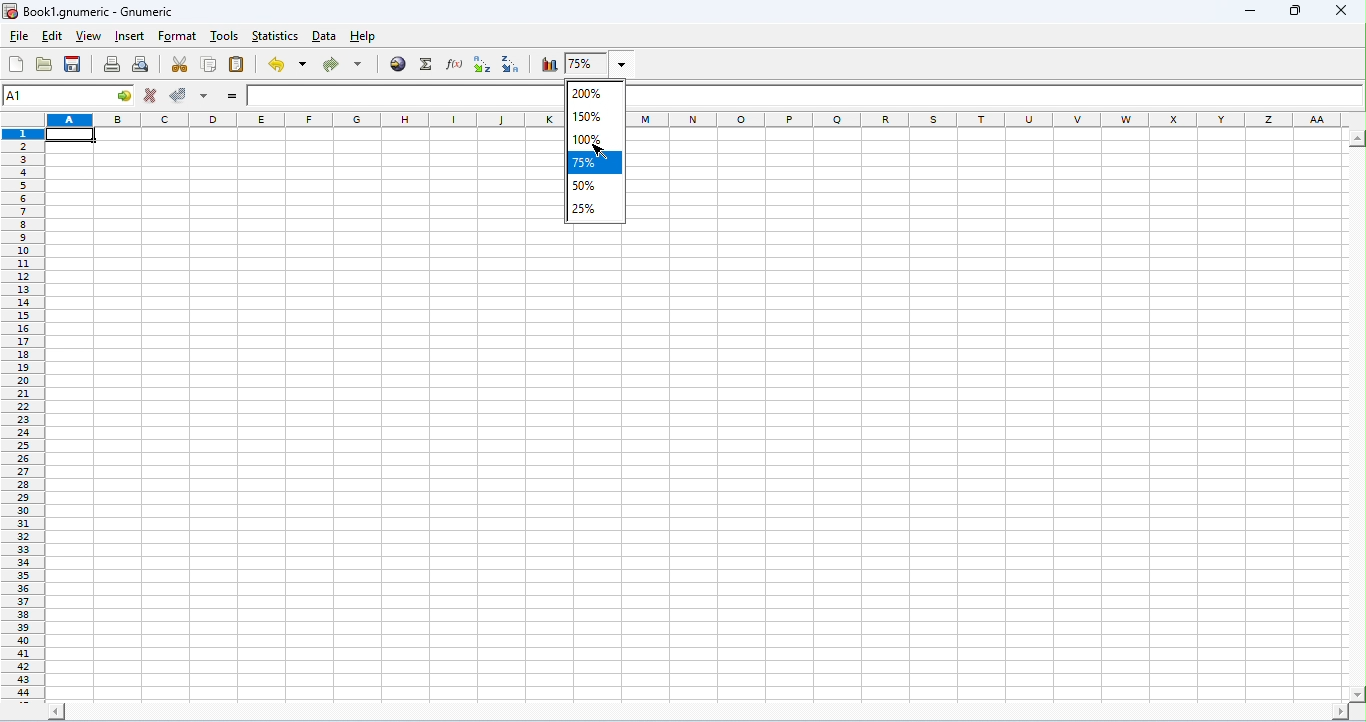 This screenshot has width=1366, height=722. I want to click on close, so click(1342, 12).